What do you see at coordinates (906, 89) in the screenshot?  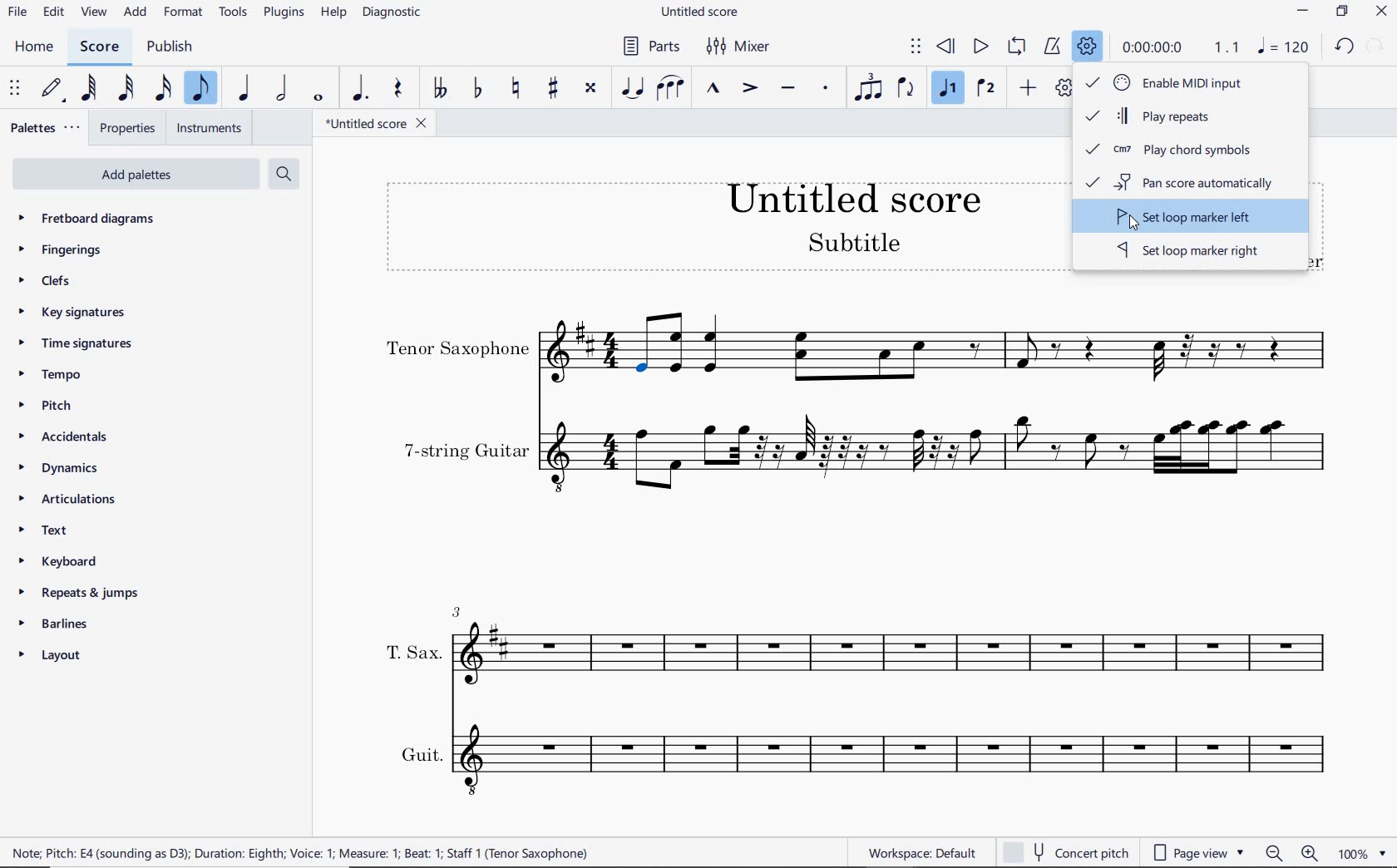 I see `FLIP DIRECTION` at bounding box center [906, 89].